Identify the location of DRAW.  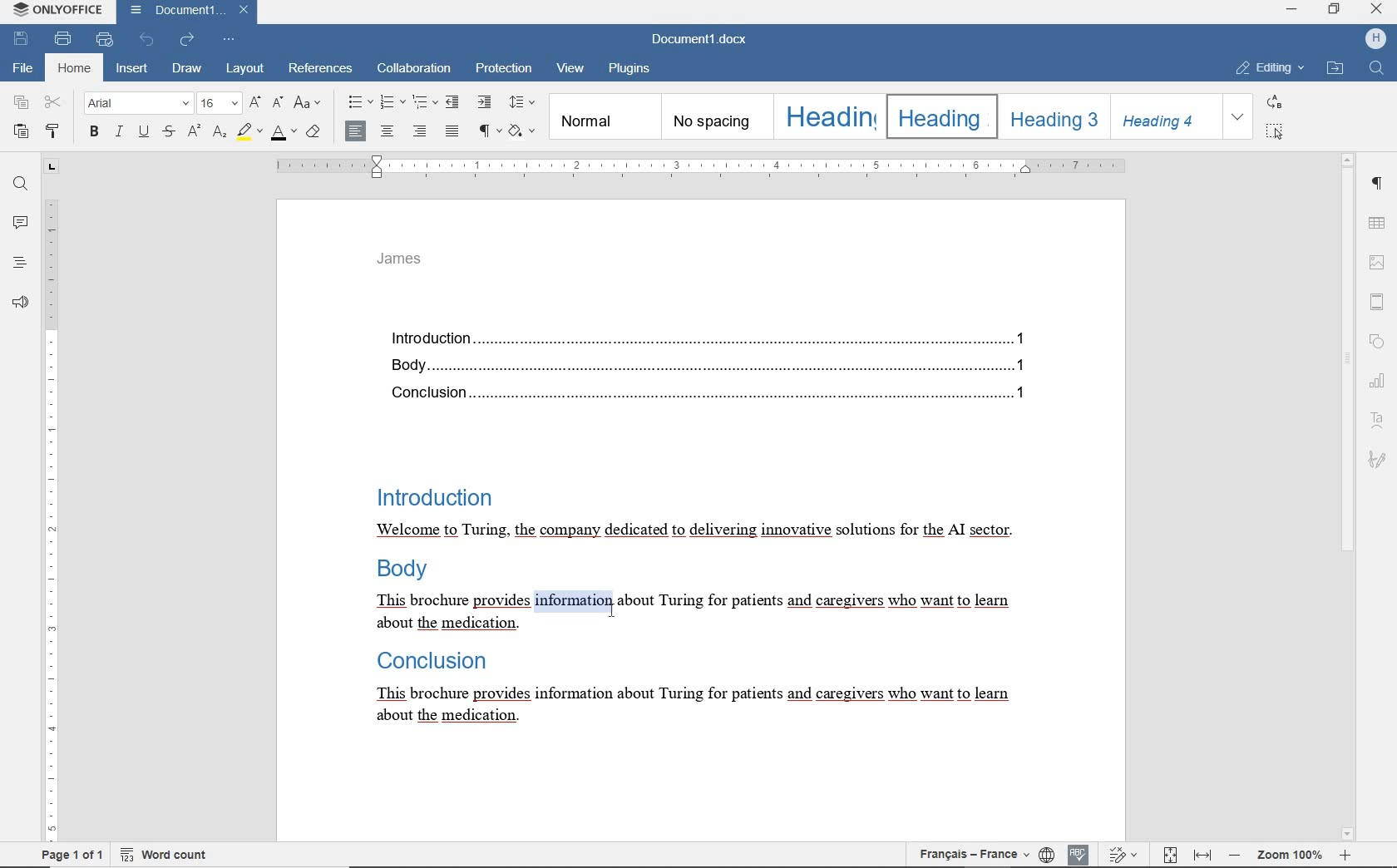
(187, 68).